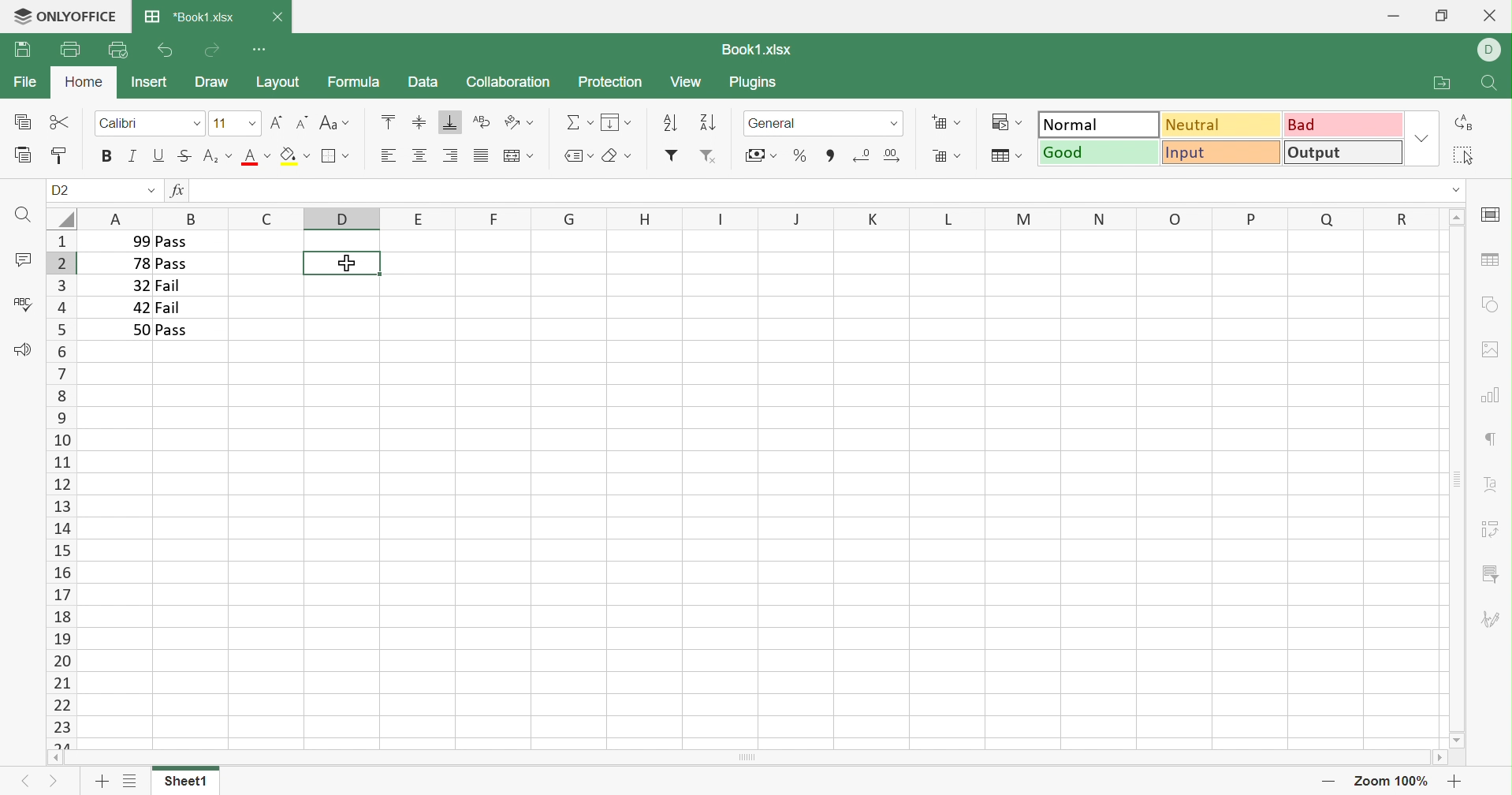  What do you see at coordinates (1441, 15) in the screenshot?
I see `Restore down` at bounding box center [1441, 15].